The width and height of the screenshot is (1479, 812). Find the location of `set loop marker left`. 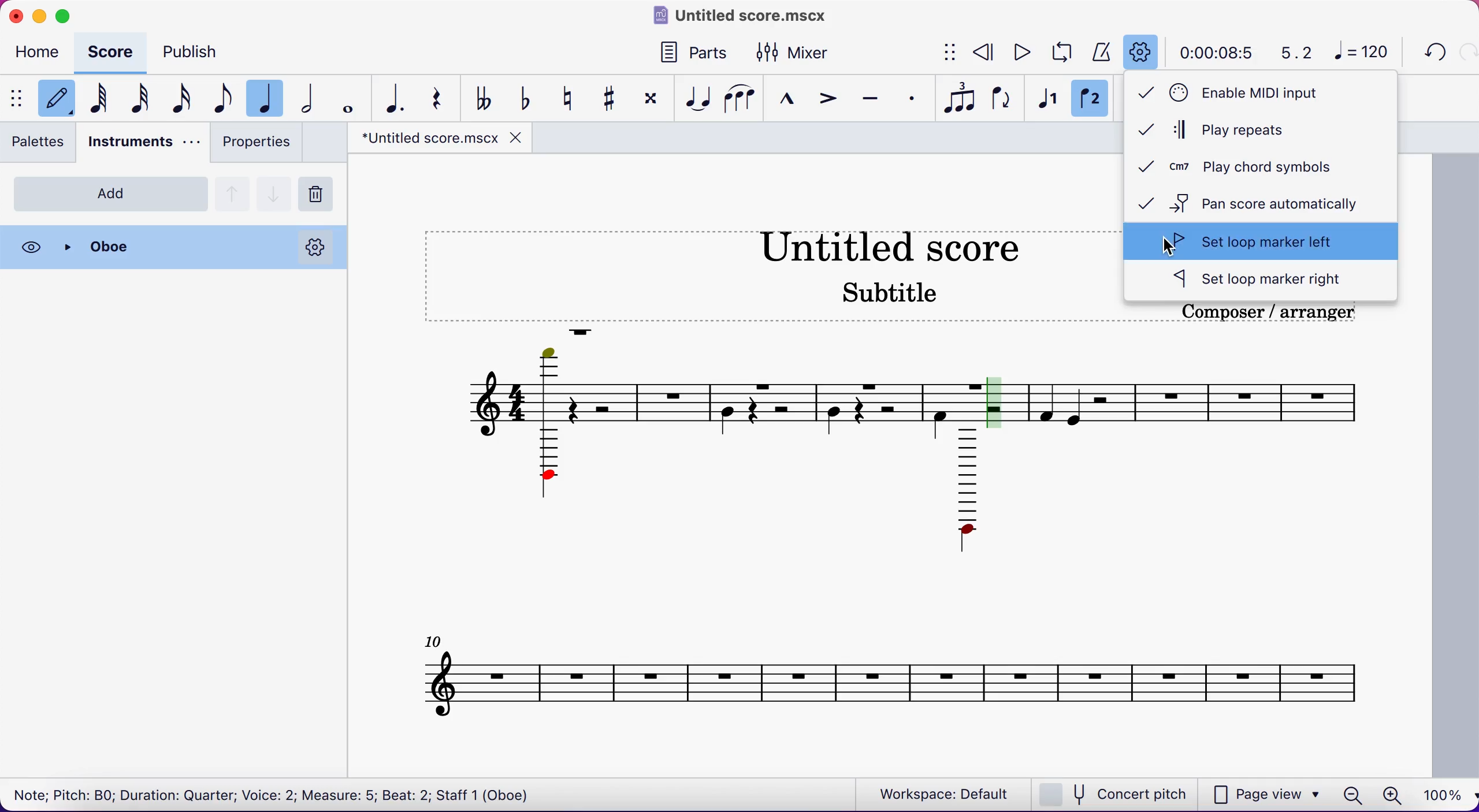

set loop marker left is located at coordinates (1261, 242).